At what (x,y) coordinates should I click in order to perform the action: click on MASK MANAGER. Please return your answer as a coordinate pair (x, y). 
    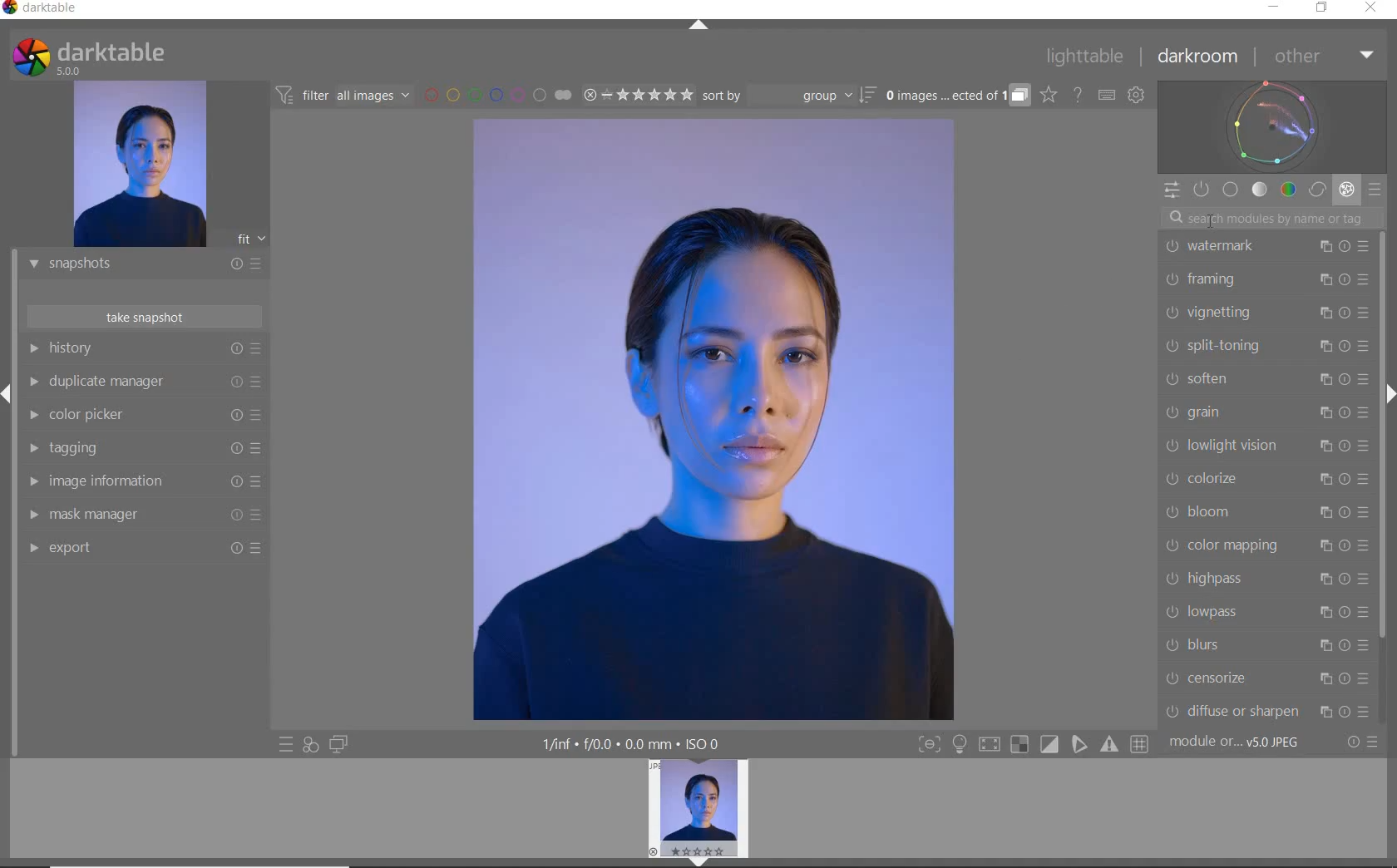
    Looking at the image, I should click on (148, 515).